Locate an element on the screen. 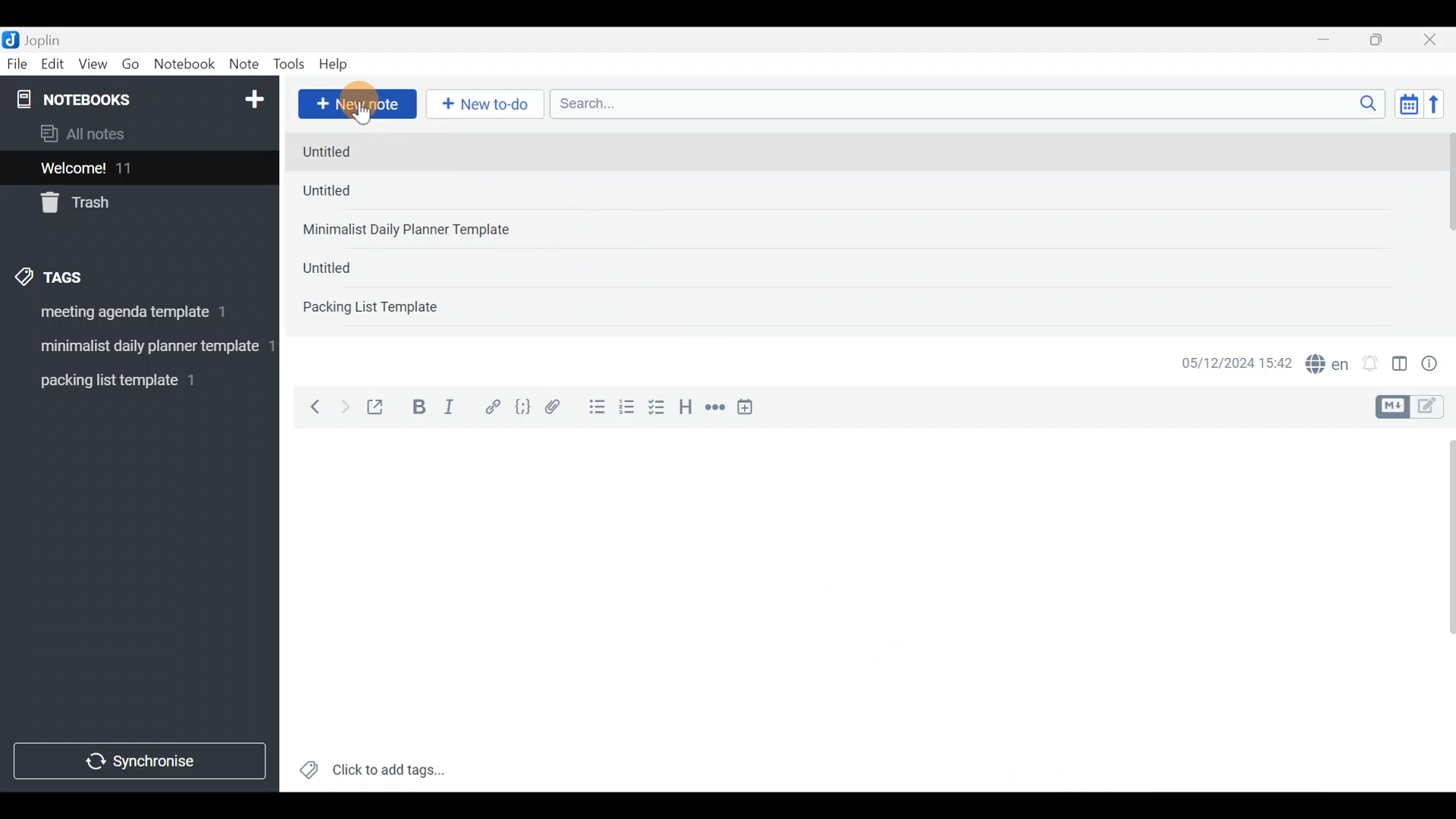  Toggle sort order is located at coordinates (1408, 105).